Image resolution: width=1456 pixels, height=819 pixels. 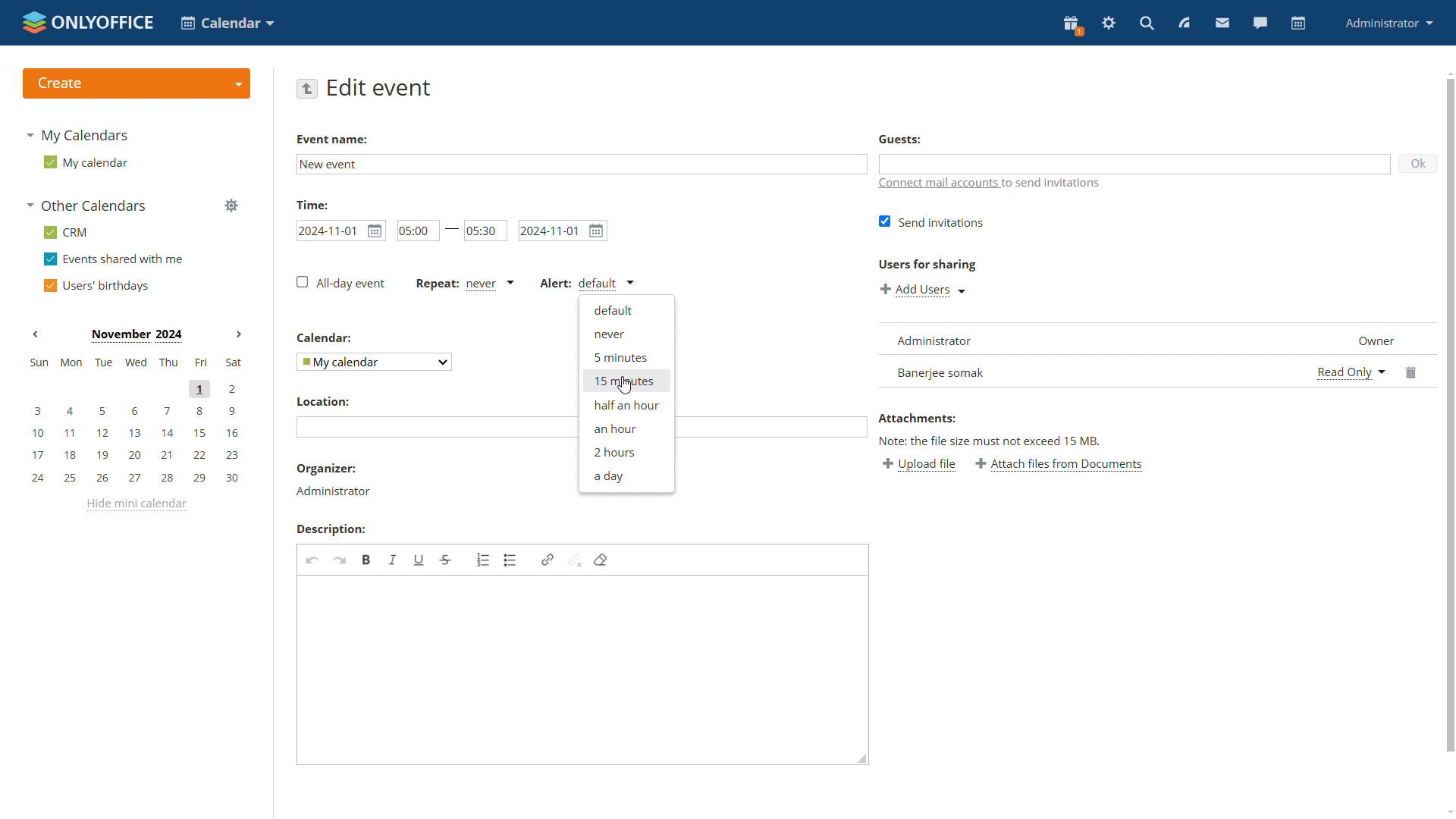 What do you see at coordinates (374, 361) in the screenshot?
I see `select calendar` at bounding box center [374, 361].